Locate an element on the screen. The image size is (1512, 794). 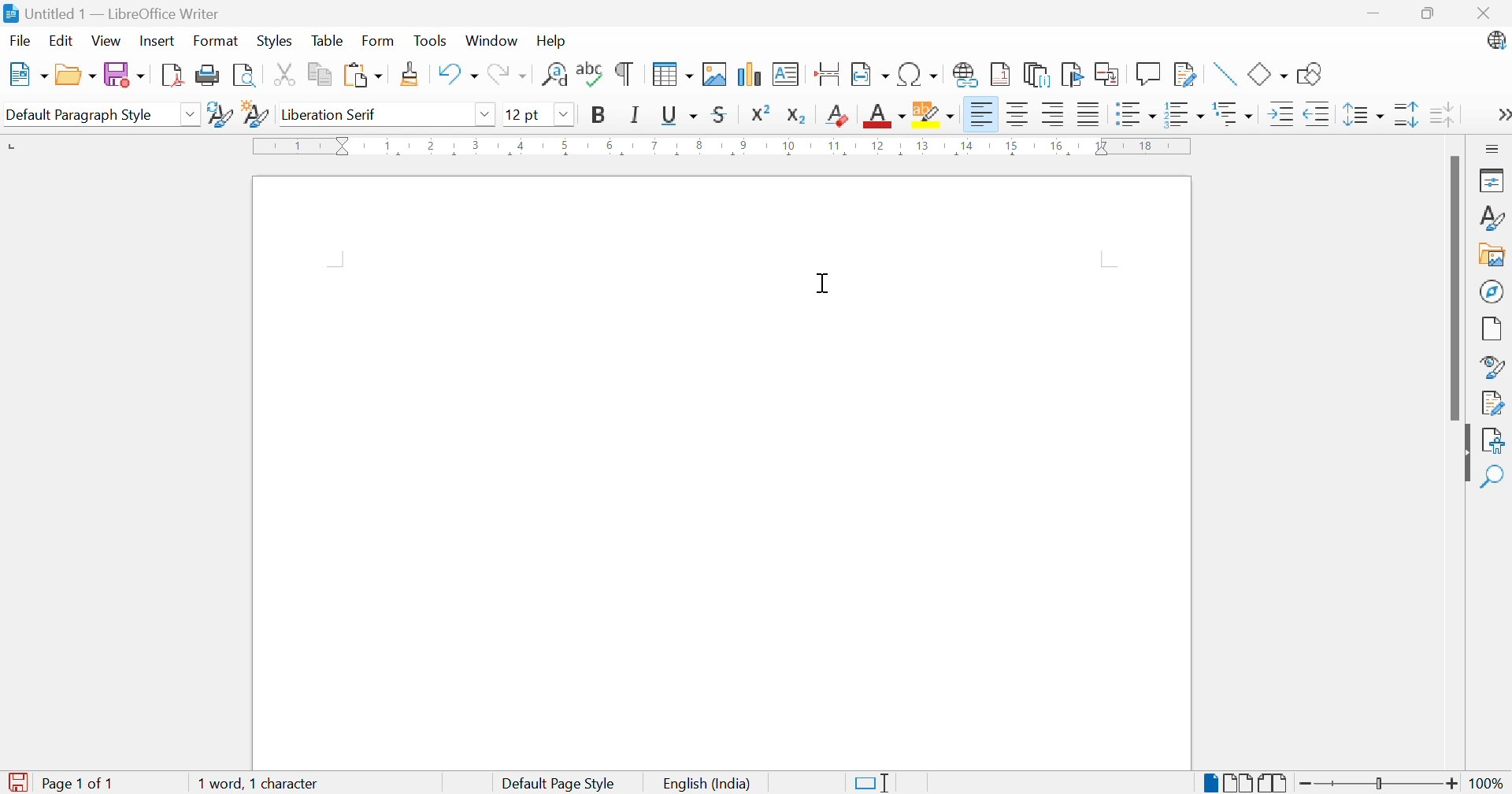
Italic is located at coordinates (636, 117).